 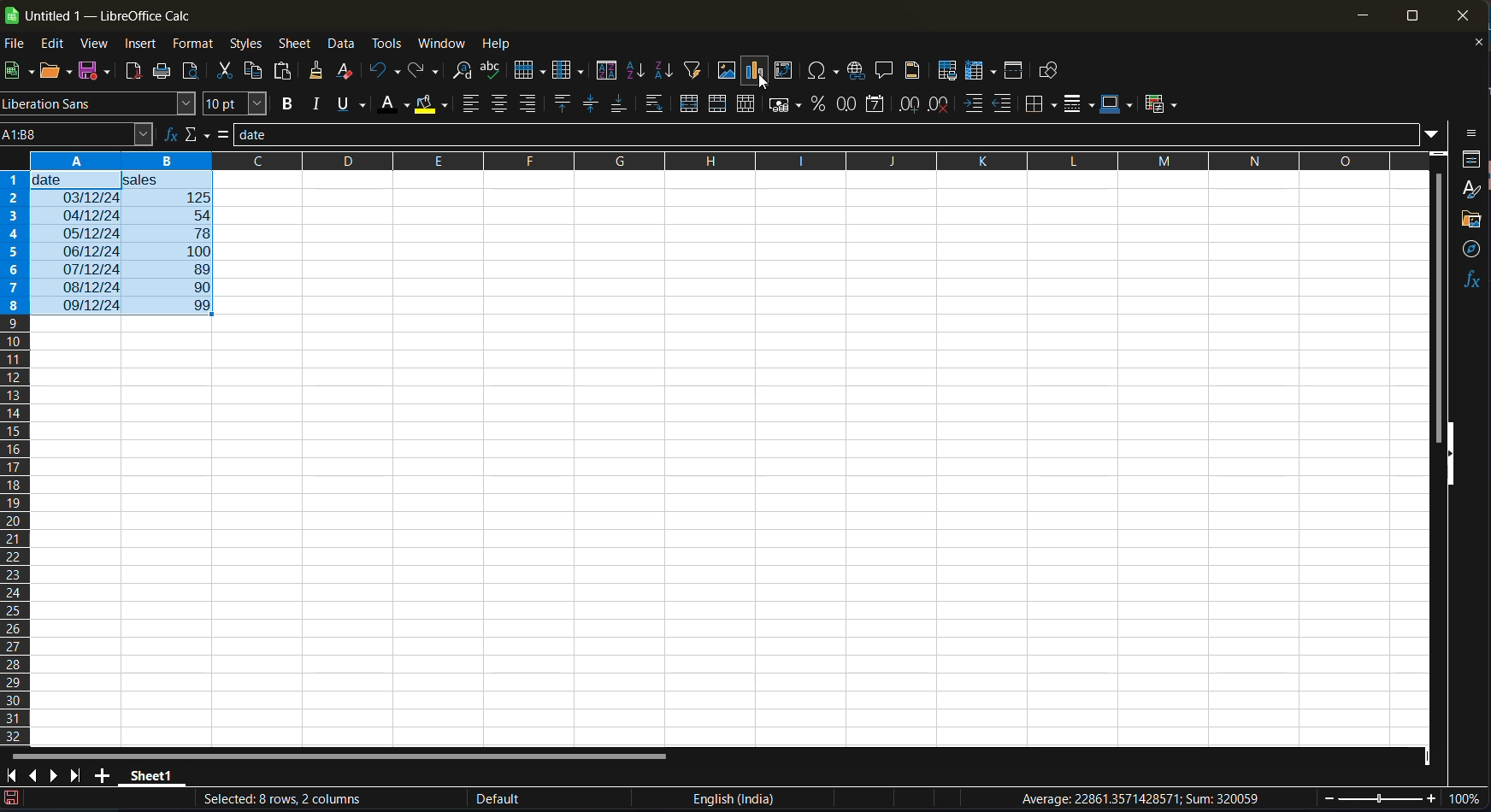 What do you see at coordinates (1161, 105) in the screenshot?
I see `conditional` at bounding box center [1161, 105].